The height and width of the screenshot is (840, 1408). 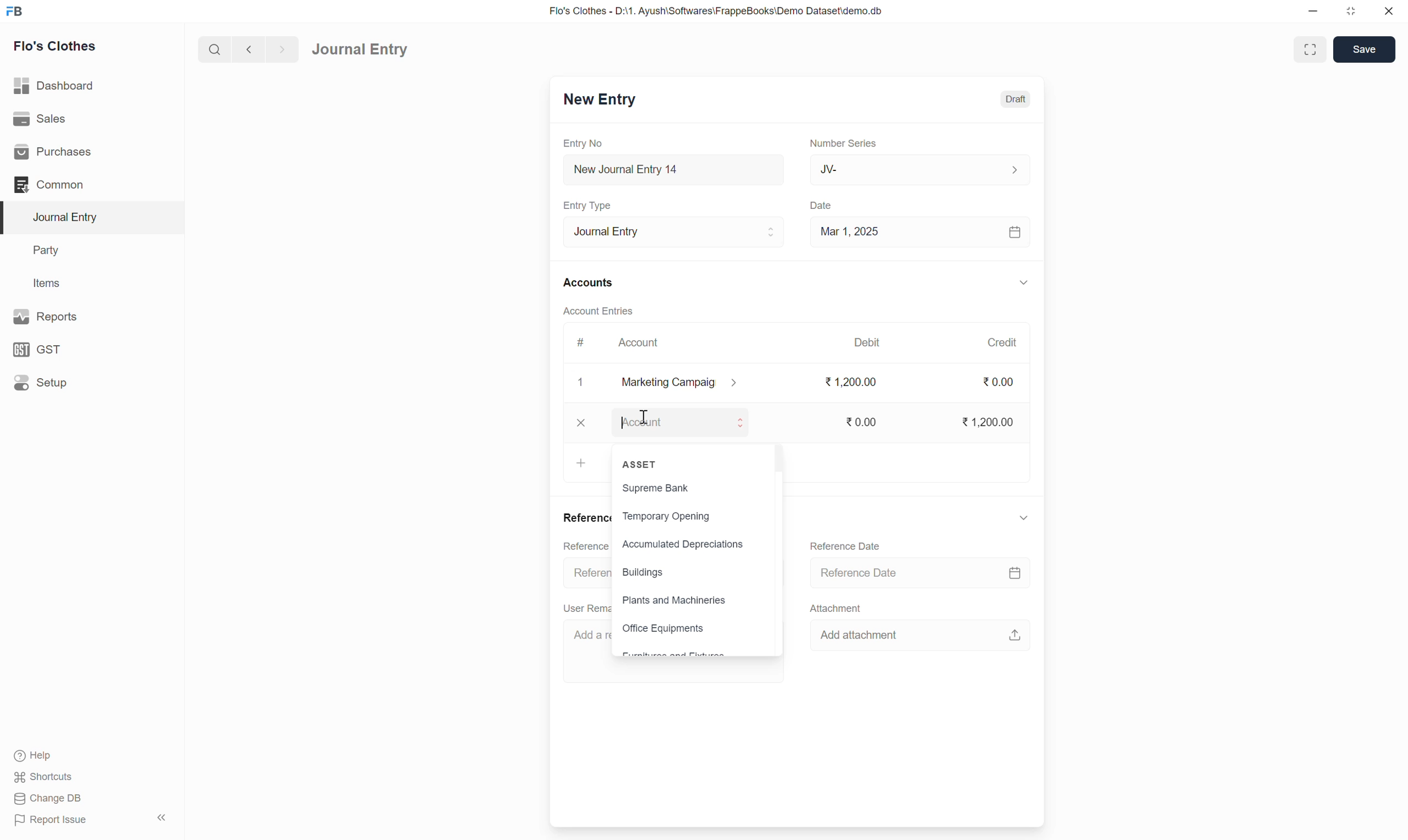 What do you see at coordinates (848, 547) in the screenshot?
I see `Reference Date` at bounding box center [848, 547].